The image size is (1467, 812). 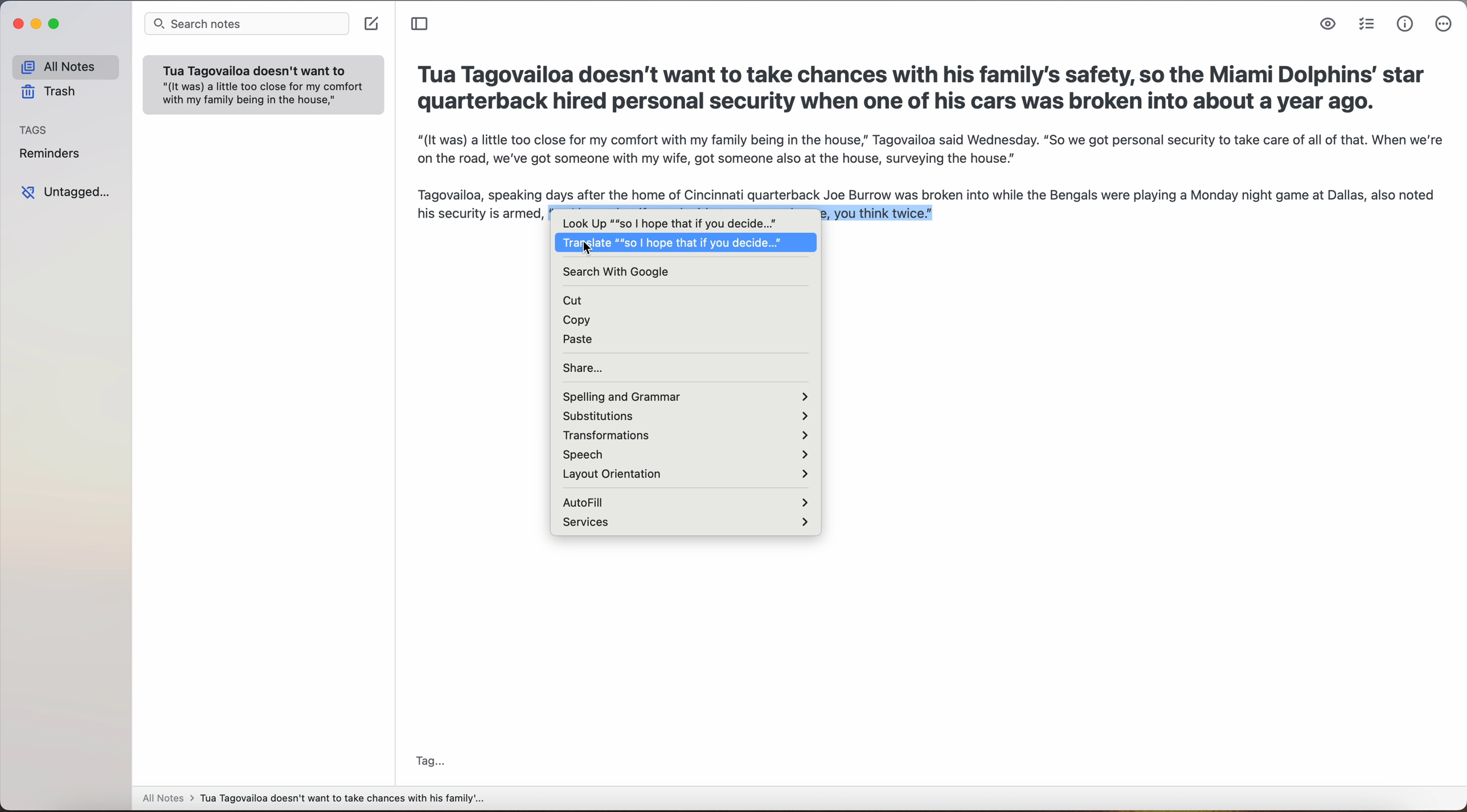 What do you see at coordinates (614, 272) in the screenshot?
I see `search with google` at bounding box center [614, 272].